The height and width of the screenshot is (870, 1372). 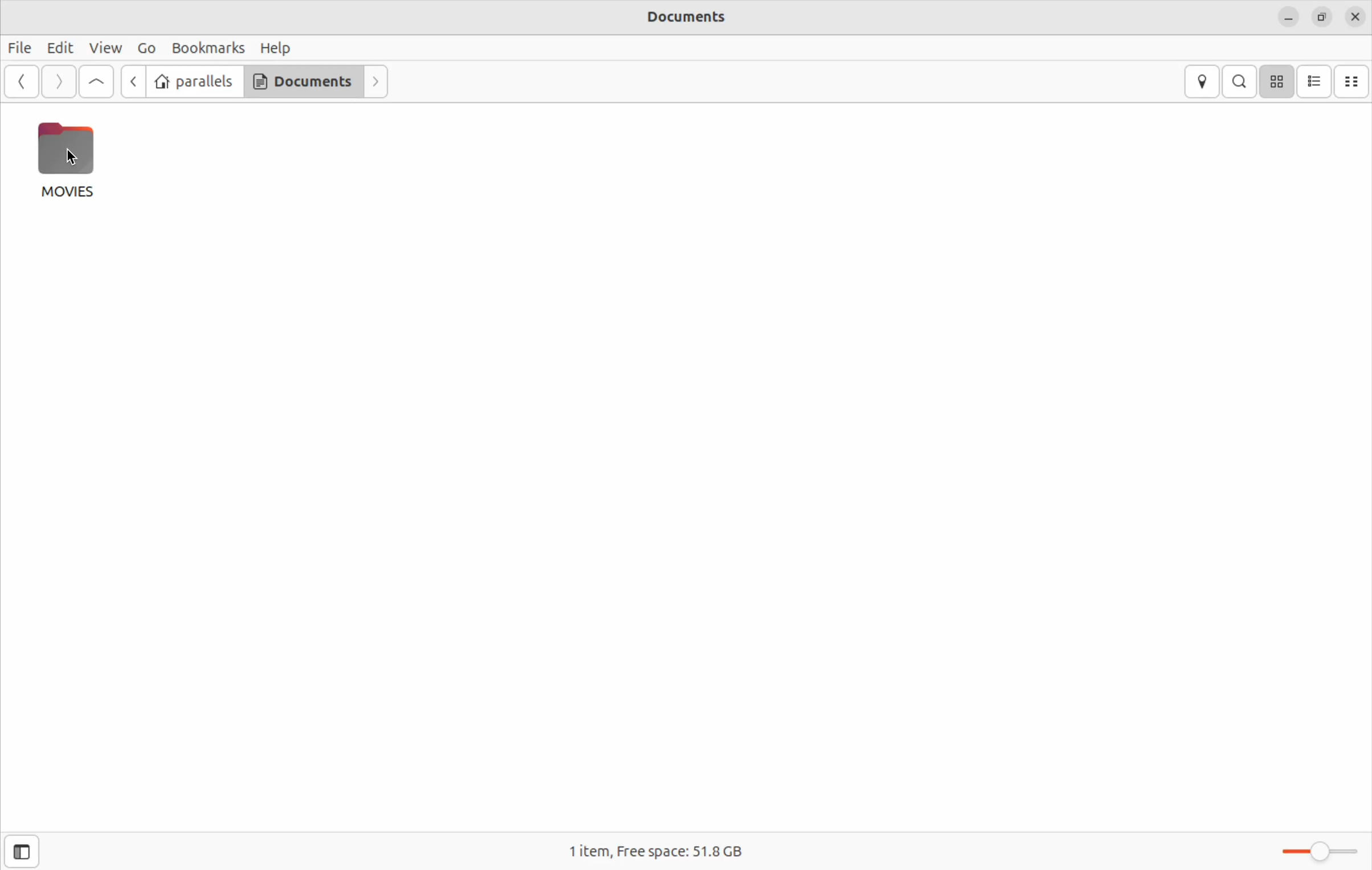 I want to click on Edit, so click(x=59, y=48).